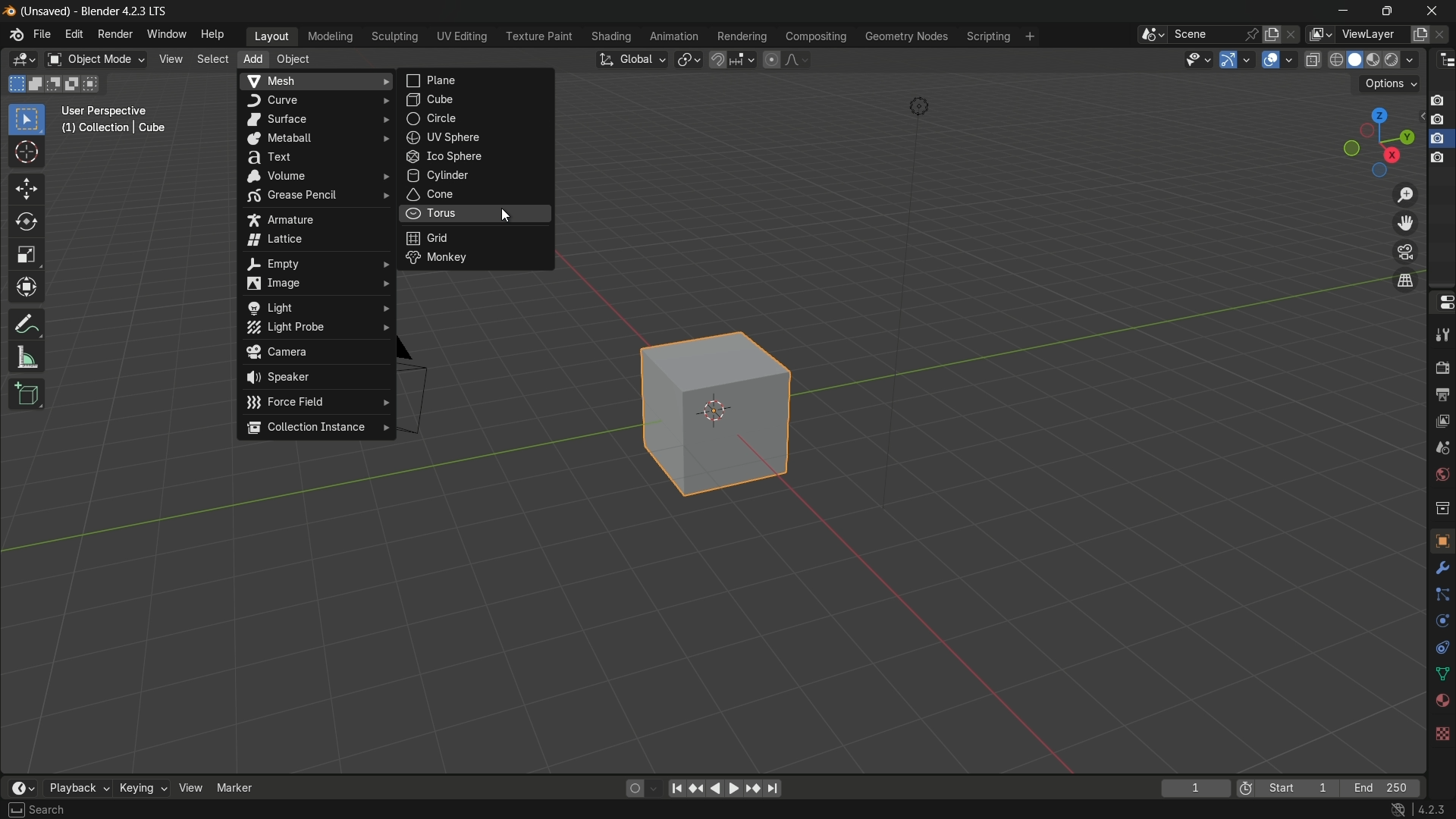 This screenshot has width=1456, height=819. I want to click on playback, so click(77, 788).